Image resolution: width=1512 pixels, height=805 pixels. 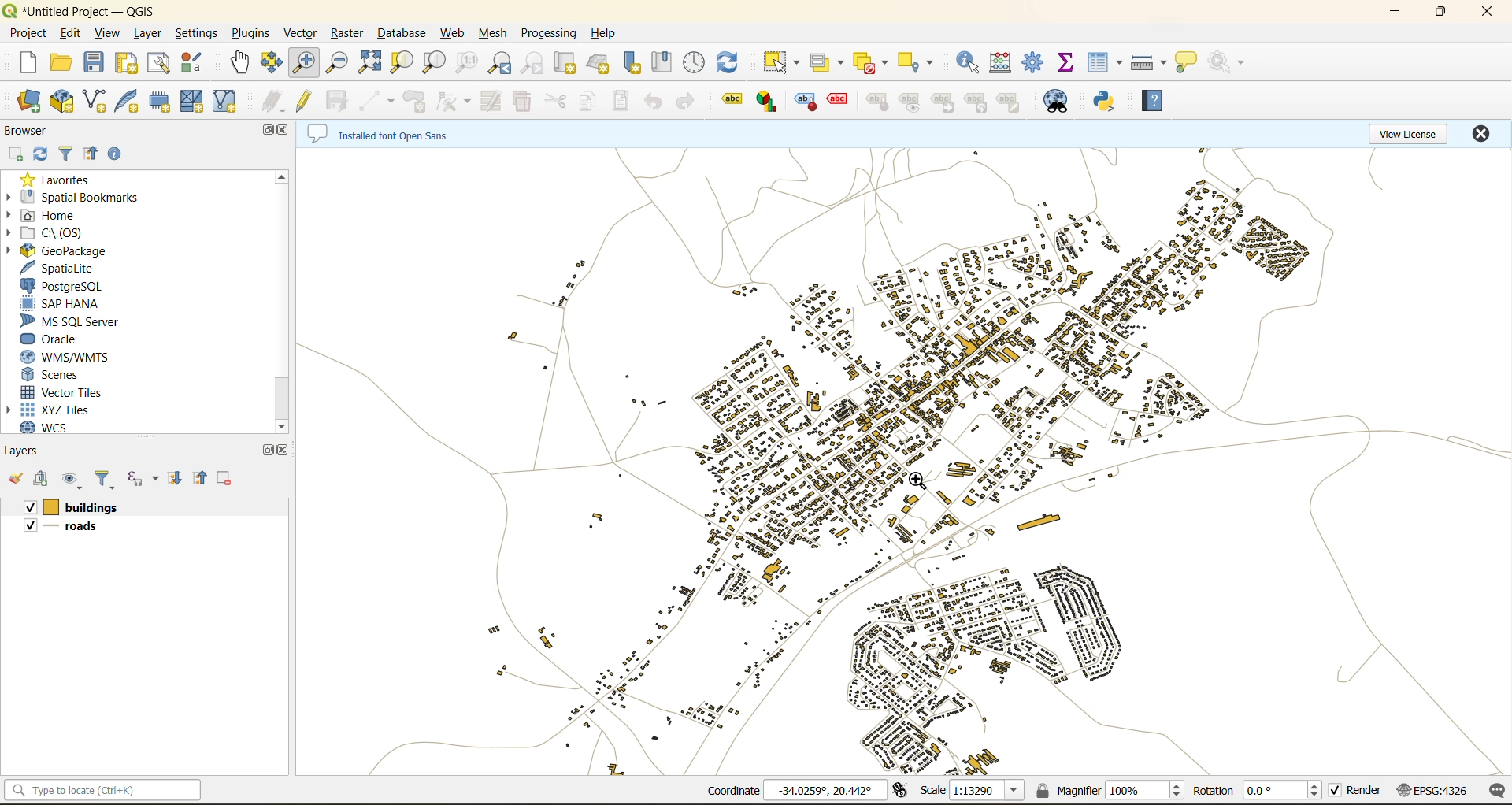 What do you see at coordinates (1486, 135) in the screenshot?
I see `close` at bounding box center [1486, 135].